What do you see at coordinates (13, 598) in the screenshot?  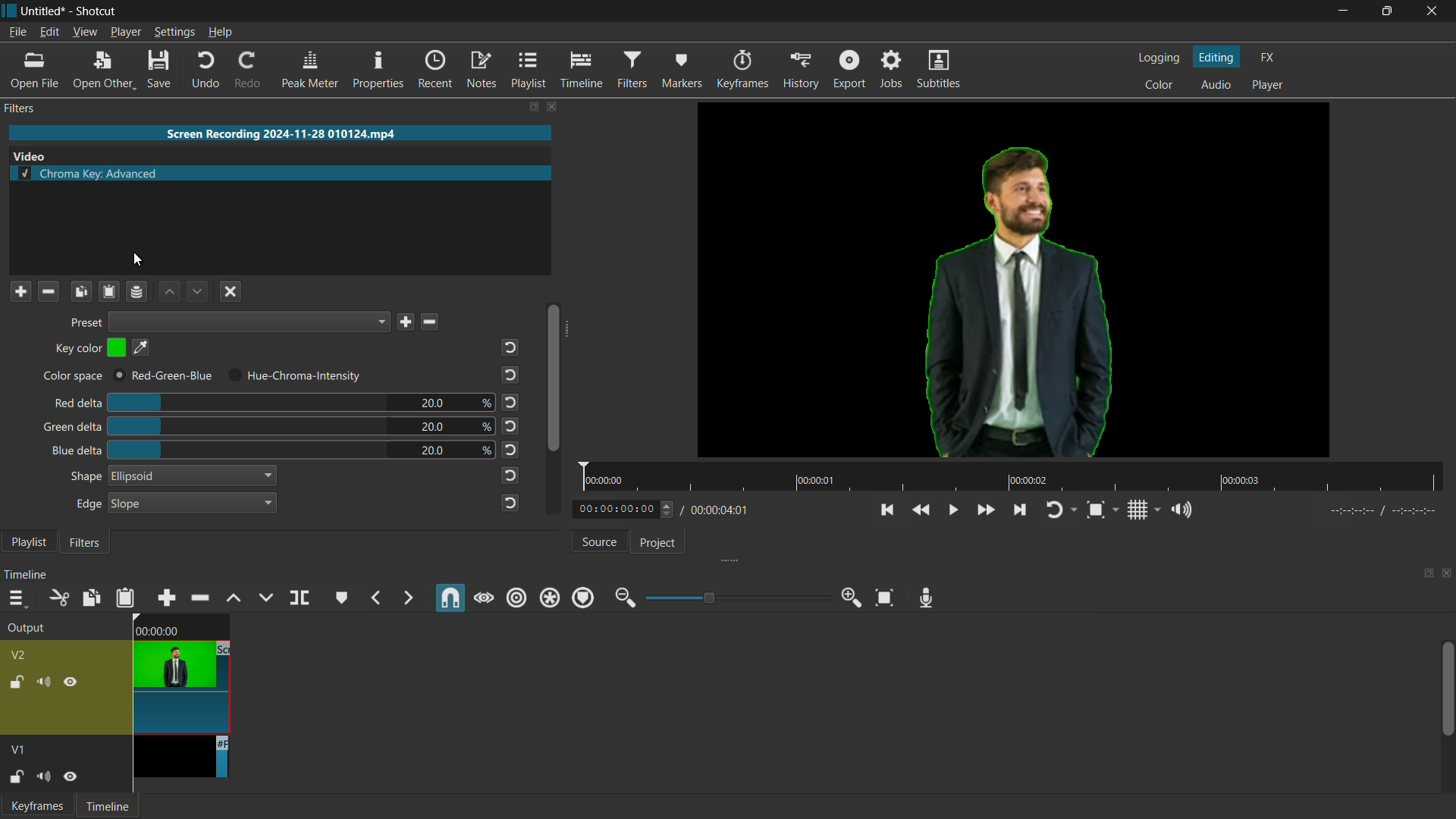 I see `timeline menu` at bounding box center [13, 598].